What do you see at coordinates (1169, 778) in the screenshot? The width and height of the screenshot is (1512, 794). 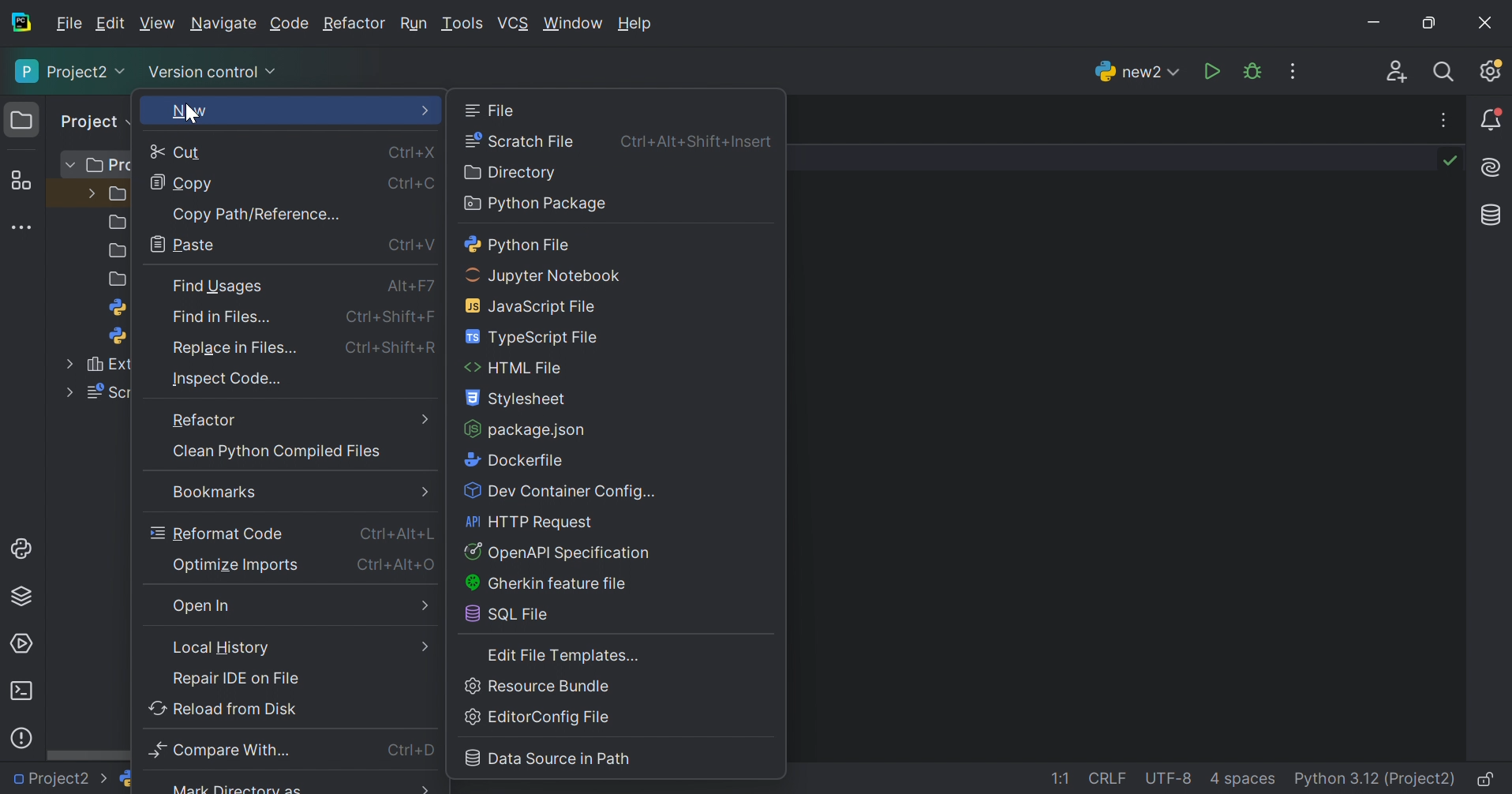 I see `UTF-8` at bounding box center [1169, 778].